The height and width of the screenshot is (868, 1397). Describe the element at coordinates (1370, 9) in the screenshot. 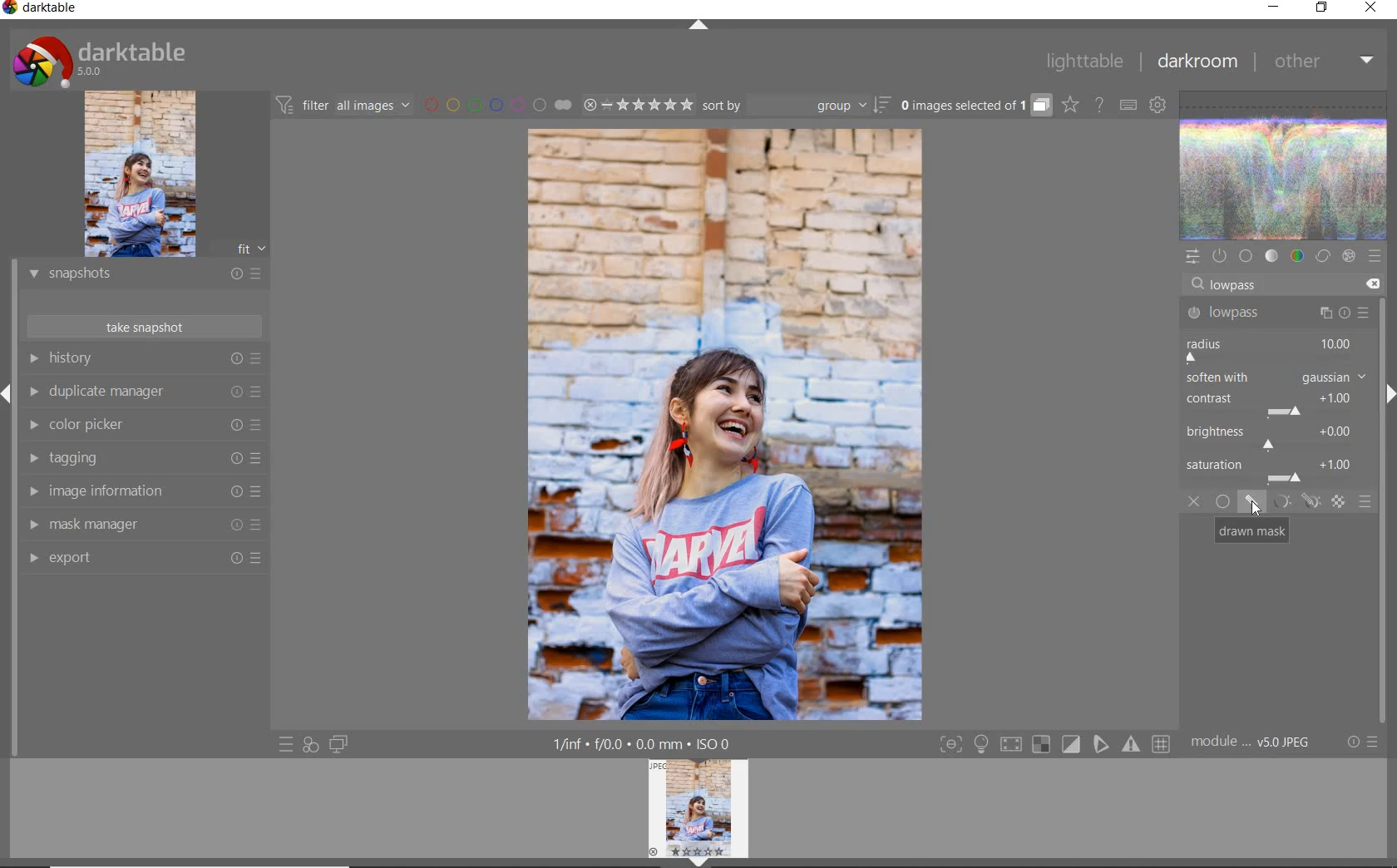

I see `close` at that location.